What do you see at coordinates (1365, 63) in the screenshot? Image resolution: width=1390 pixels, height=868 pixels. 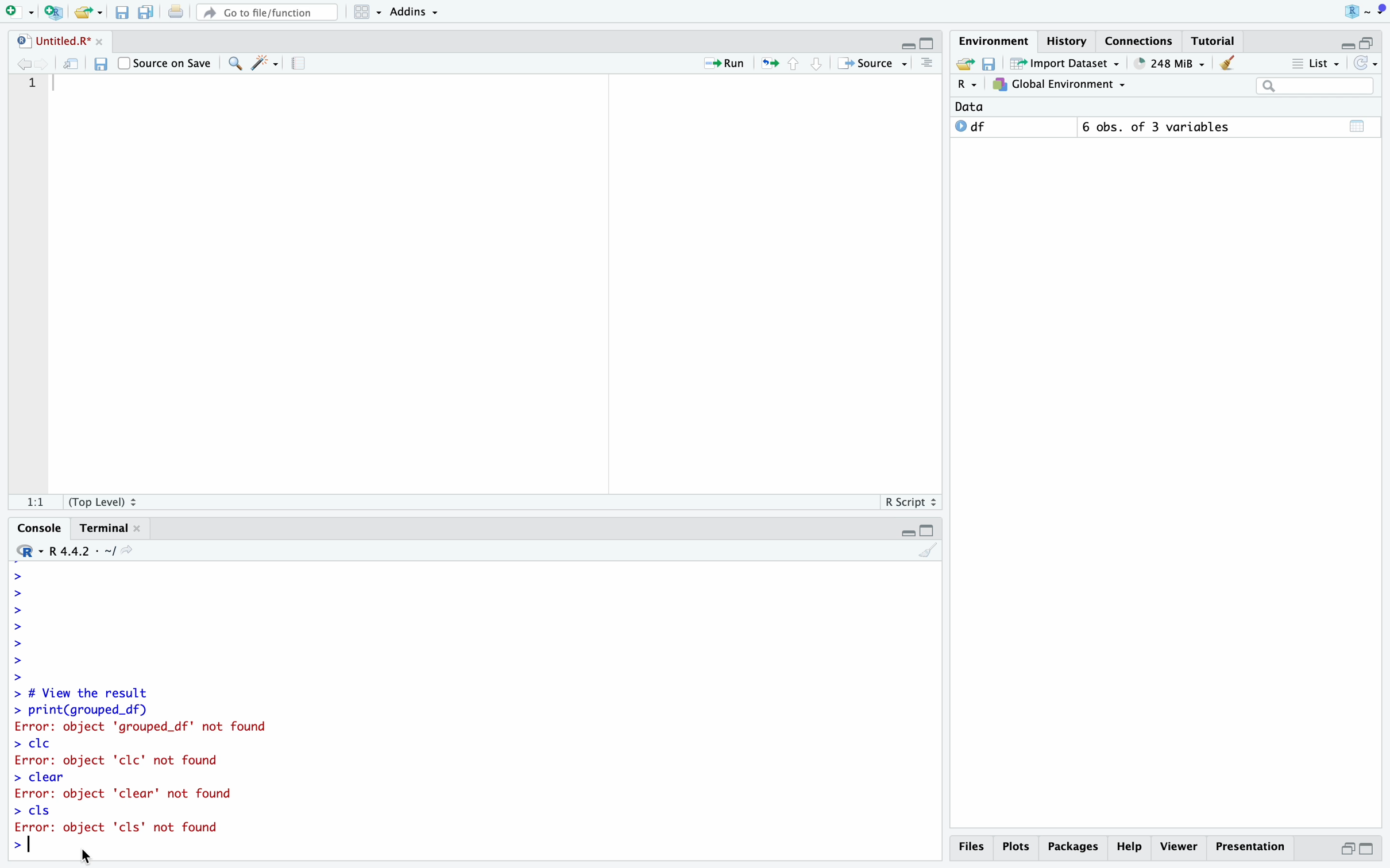 I see `Refresh list` at bounding box center [1365, 63].